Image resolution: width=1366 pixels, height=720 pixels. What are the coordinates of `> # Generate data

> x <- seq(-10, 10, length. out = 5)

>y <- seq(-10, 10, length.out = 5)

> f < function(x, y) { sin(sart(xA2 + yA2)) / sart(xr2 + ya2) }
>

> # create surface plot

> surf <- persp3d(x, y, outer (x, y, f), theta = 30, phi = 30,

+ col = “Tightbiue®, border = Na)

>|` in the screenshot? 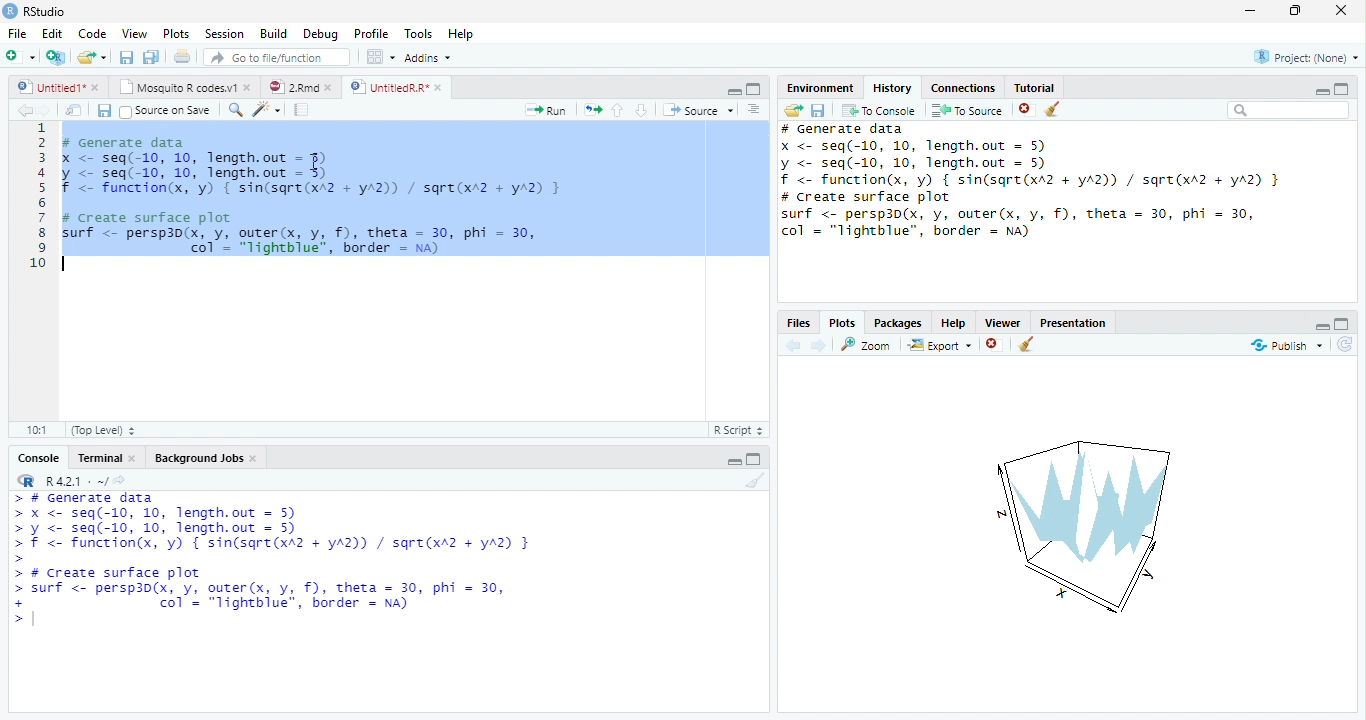 It's located at (279, 561).